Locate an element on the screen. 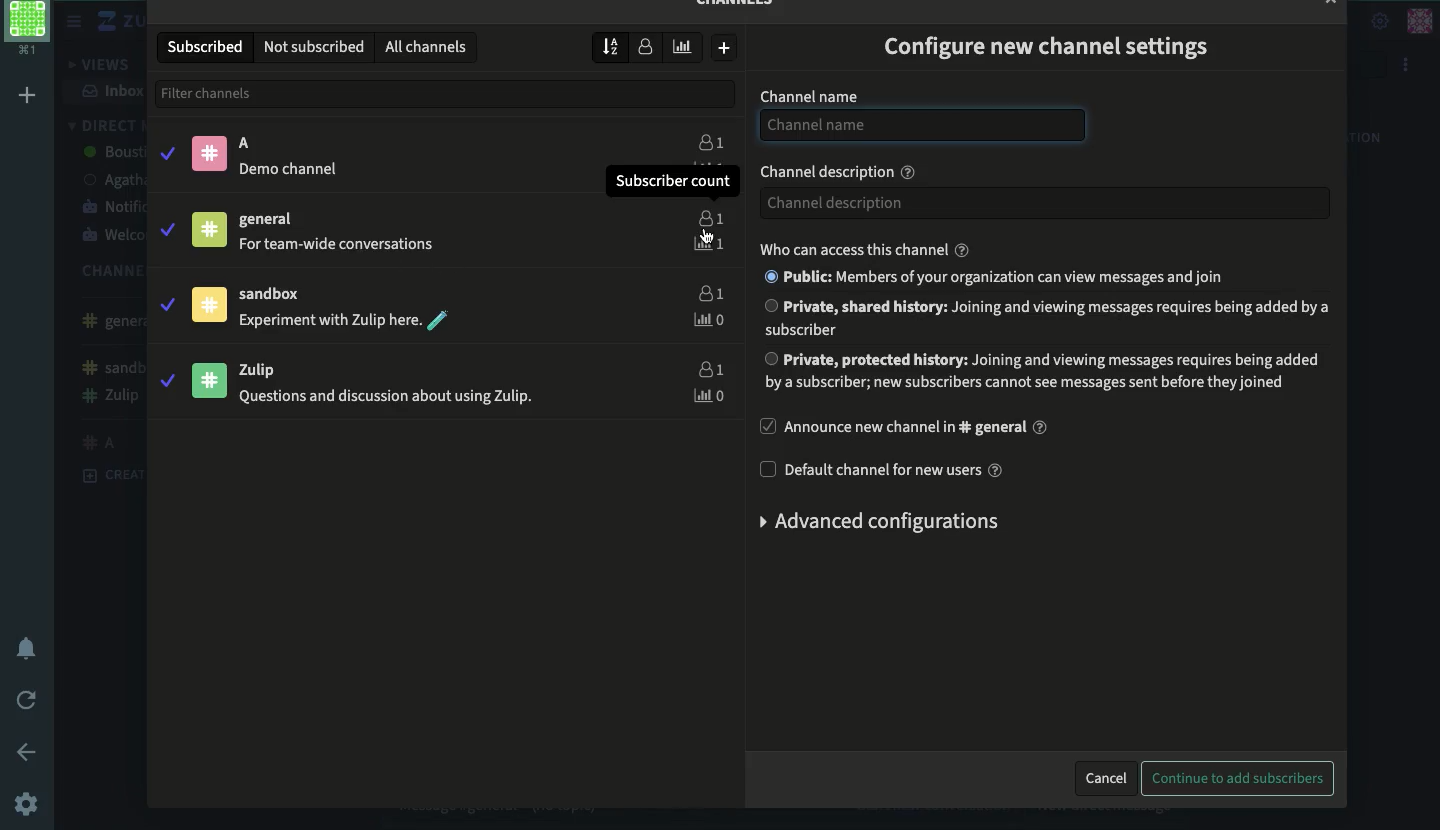 This screenshot has width=1440, height=830. click is located at coordinates (706, 238).